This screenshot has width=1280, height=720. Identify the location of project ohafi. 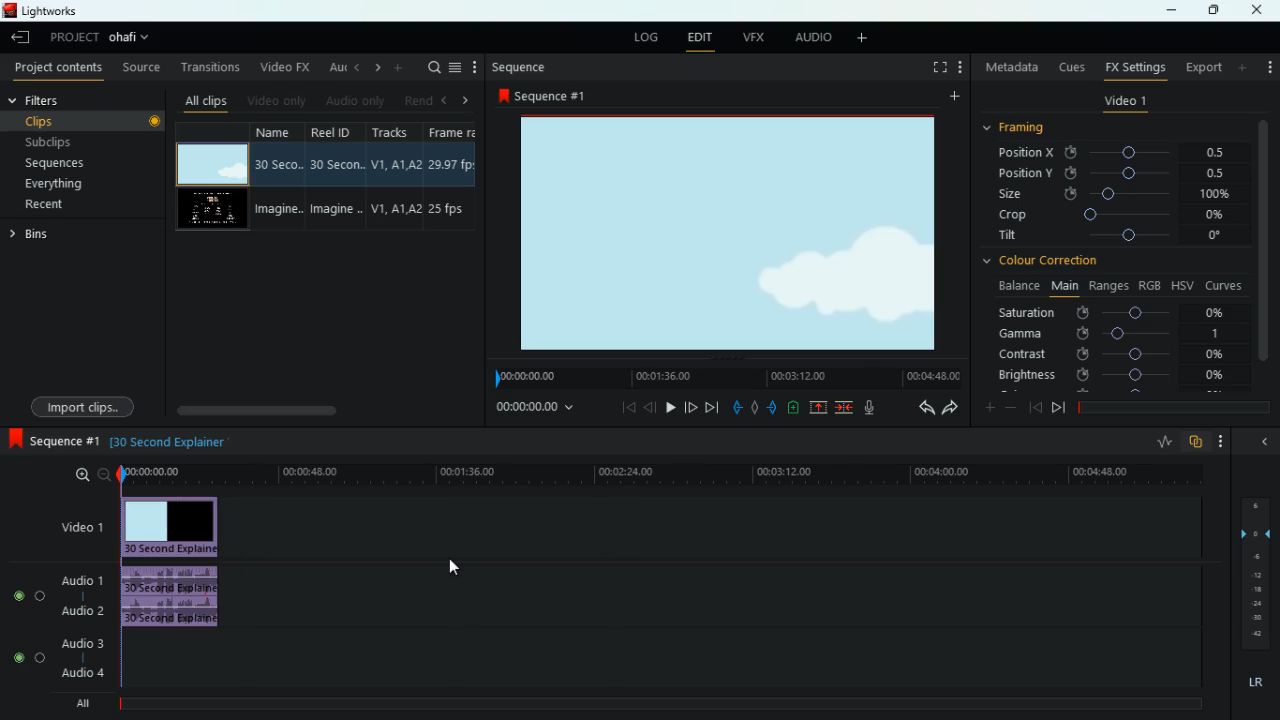
(100, 38).